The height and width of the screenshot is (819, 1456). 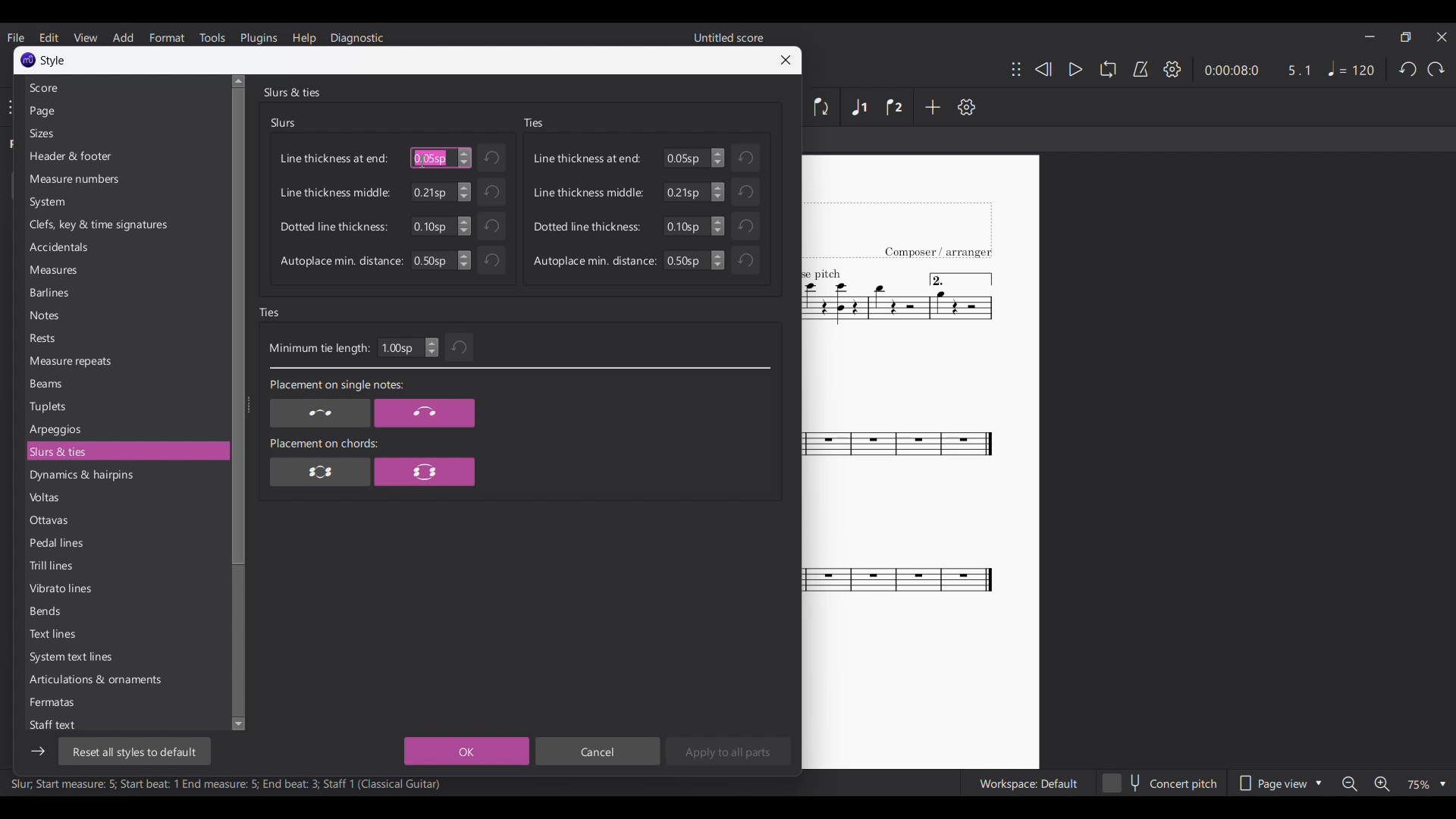 I want to click on Placement on single notes, so click(x=335, y=386).